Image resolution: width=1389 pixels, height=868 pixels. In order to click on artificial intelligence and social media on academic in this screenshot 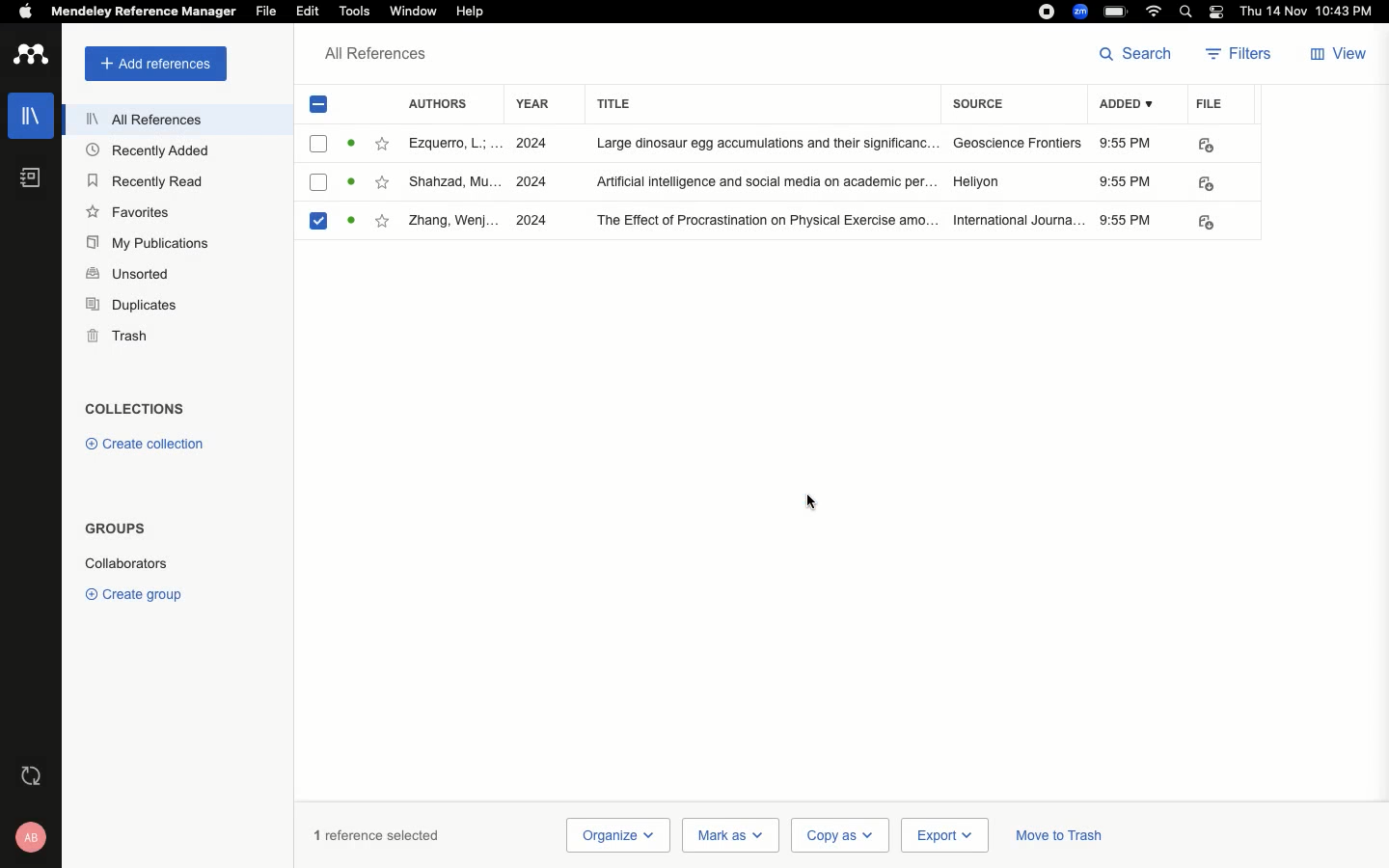, I will do `click(766, 179)`.